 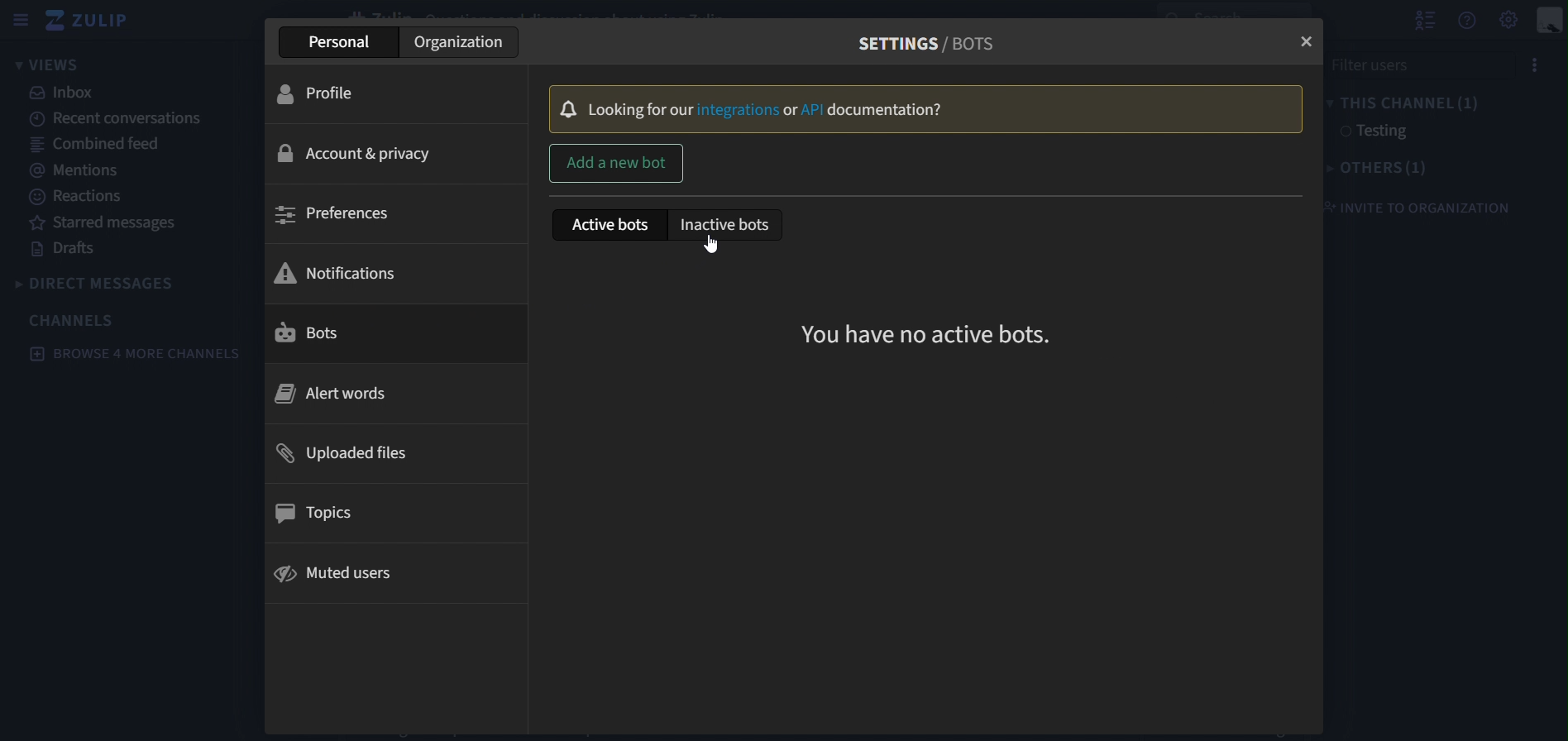 What do you see at coordinates (52, 65) in the screenshot?
I see `views` at bounding box center [52, 65].